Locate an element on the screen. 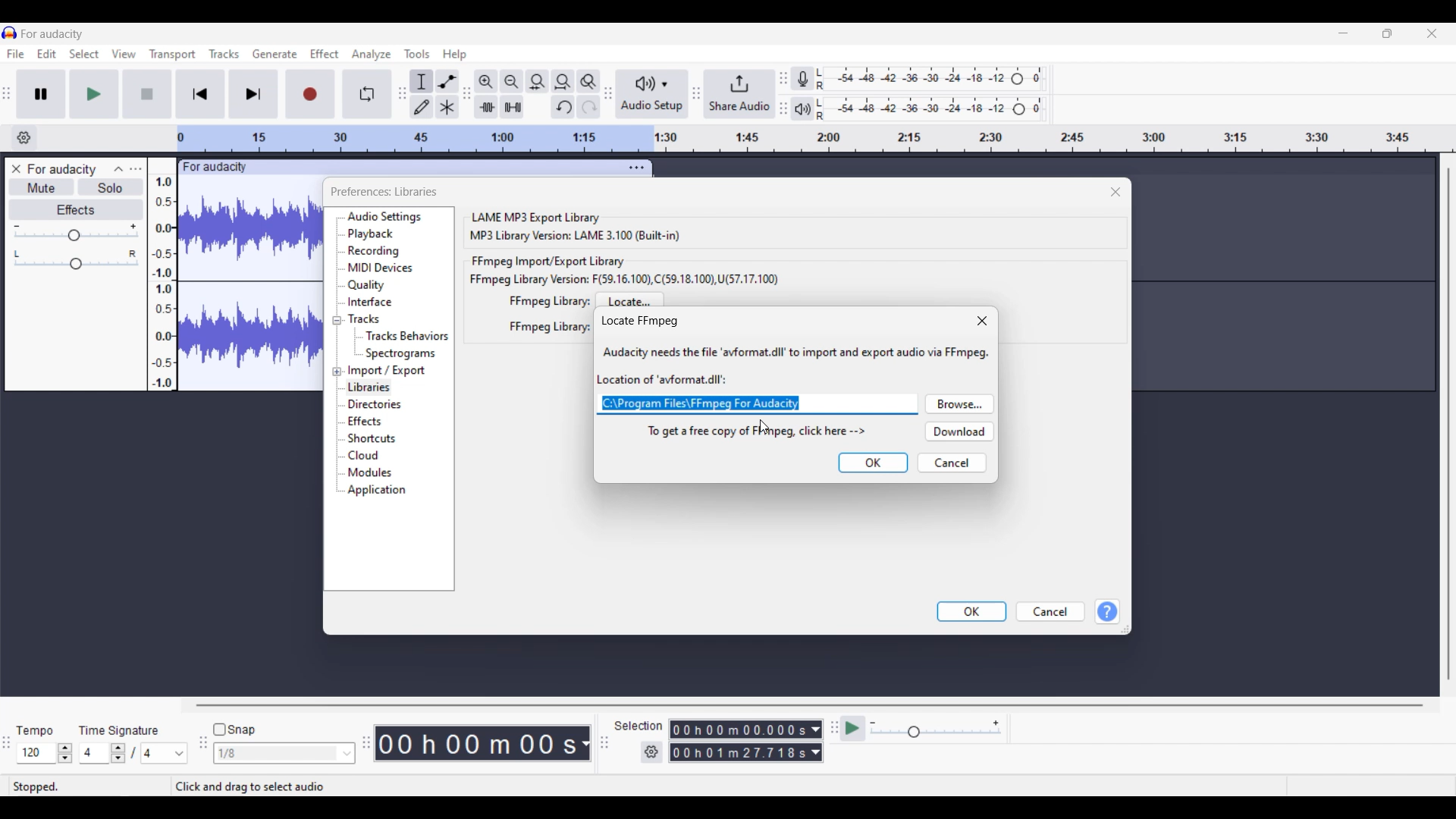 The height and width of the screenshot is (819, 1456). tempo is located at coordinates (35, 731).